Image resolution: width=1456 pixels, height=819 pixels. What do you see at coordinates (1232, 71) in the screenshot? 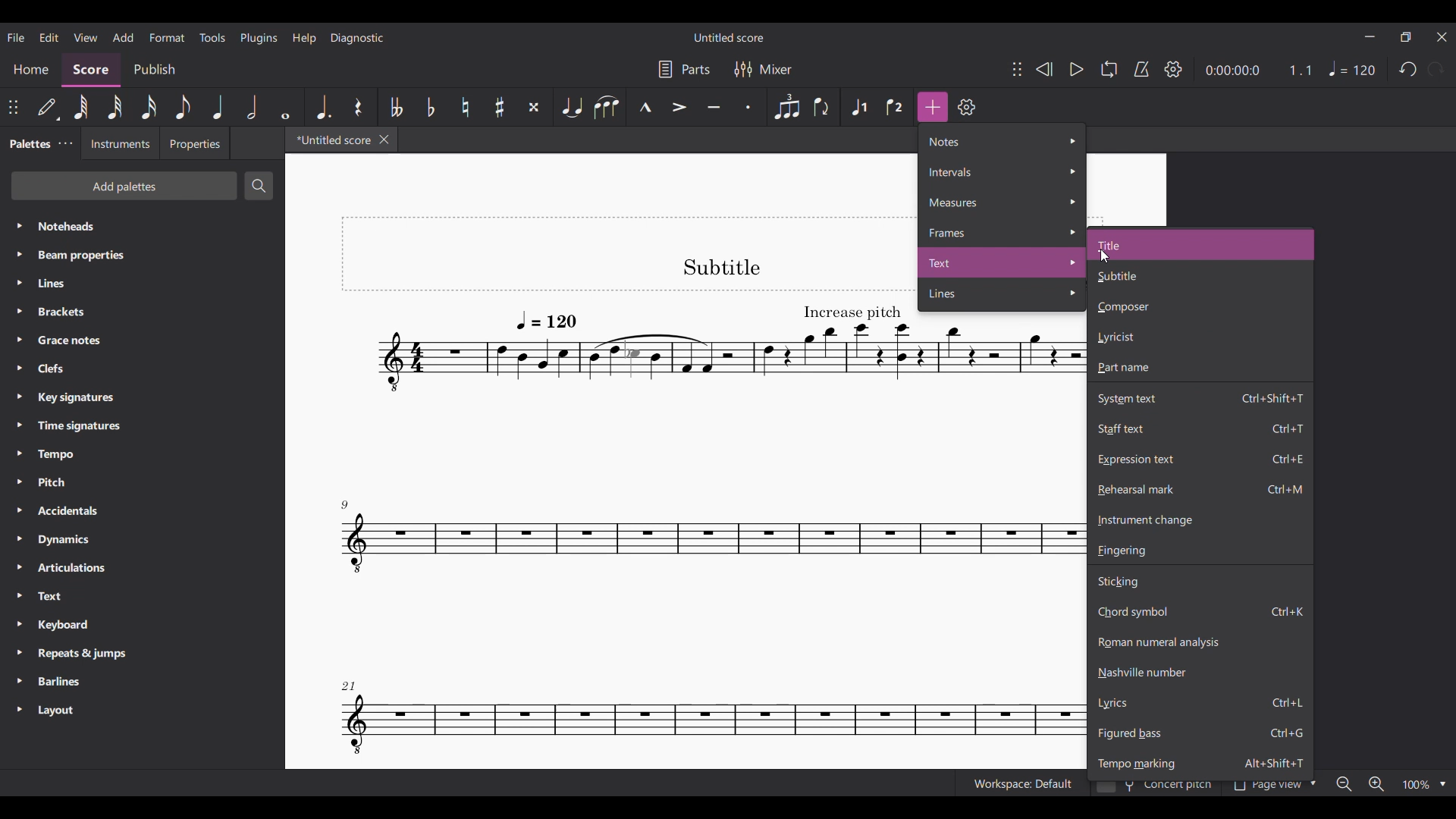
I see `Current duration` at bounding box center [1232, 71].